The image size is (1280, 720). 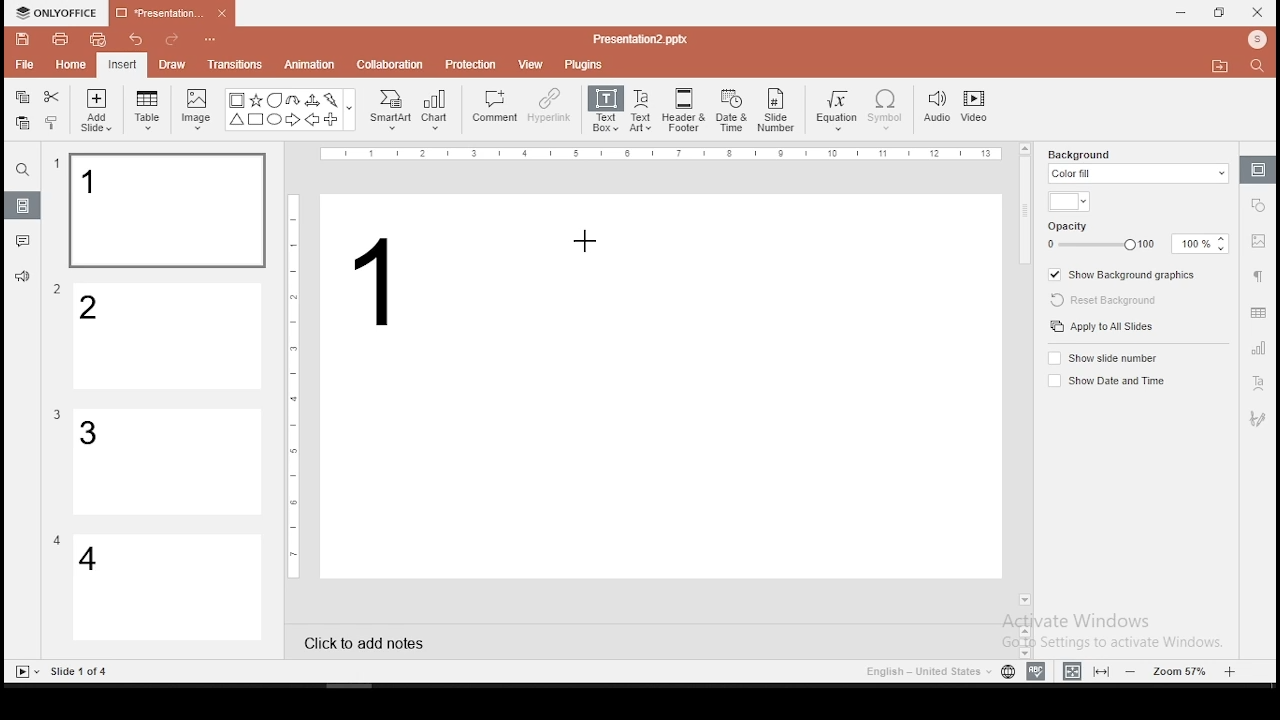 What do you see at coordinates (198, 109) in the screenshot?
I see `image` at bounding box center [198, 109].